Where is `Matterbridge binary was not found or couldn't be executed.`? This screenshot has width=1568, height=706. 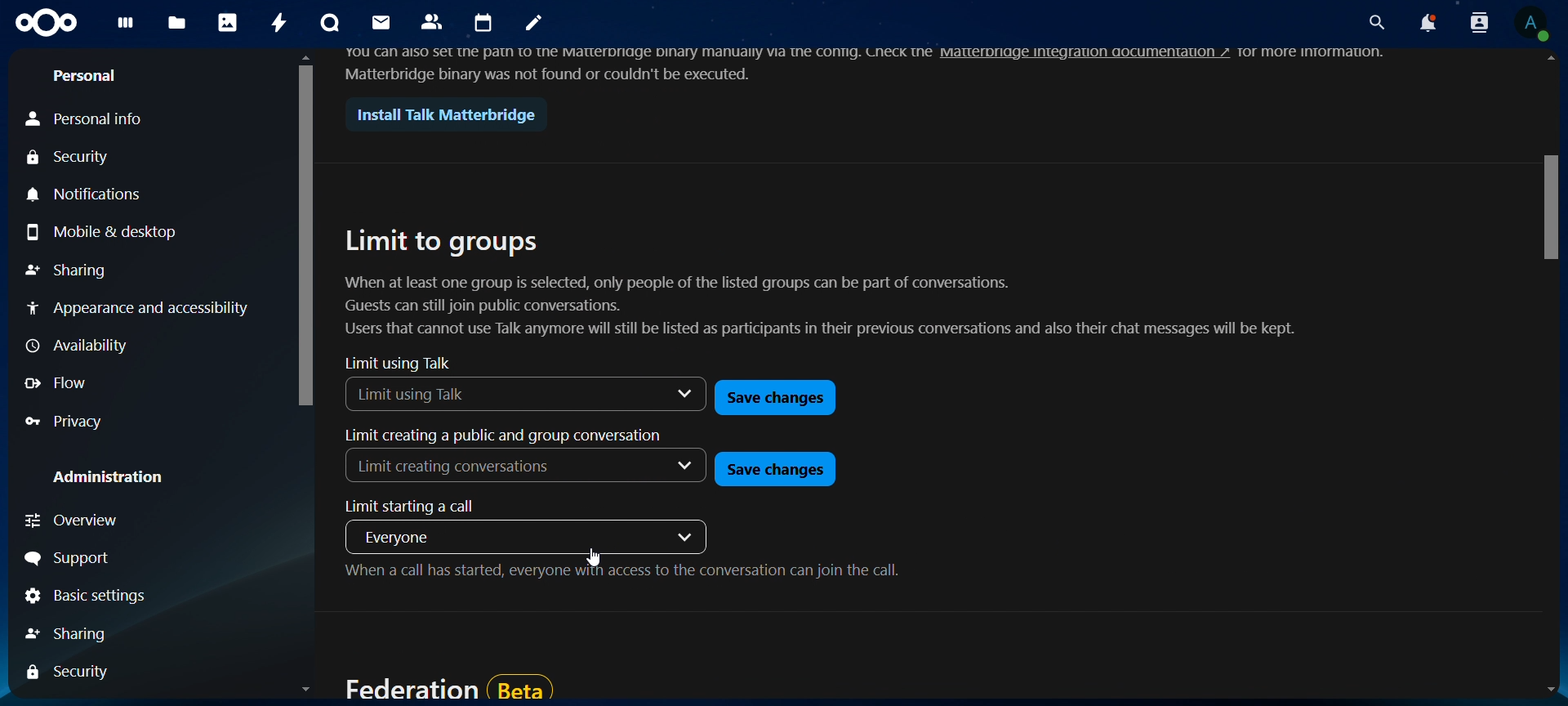 Matterbridge binary was not found or couldn't be executed. is located at coordinates (550, 74).